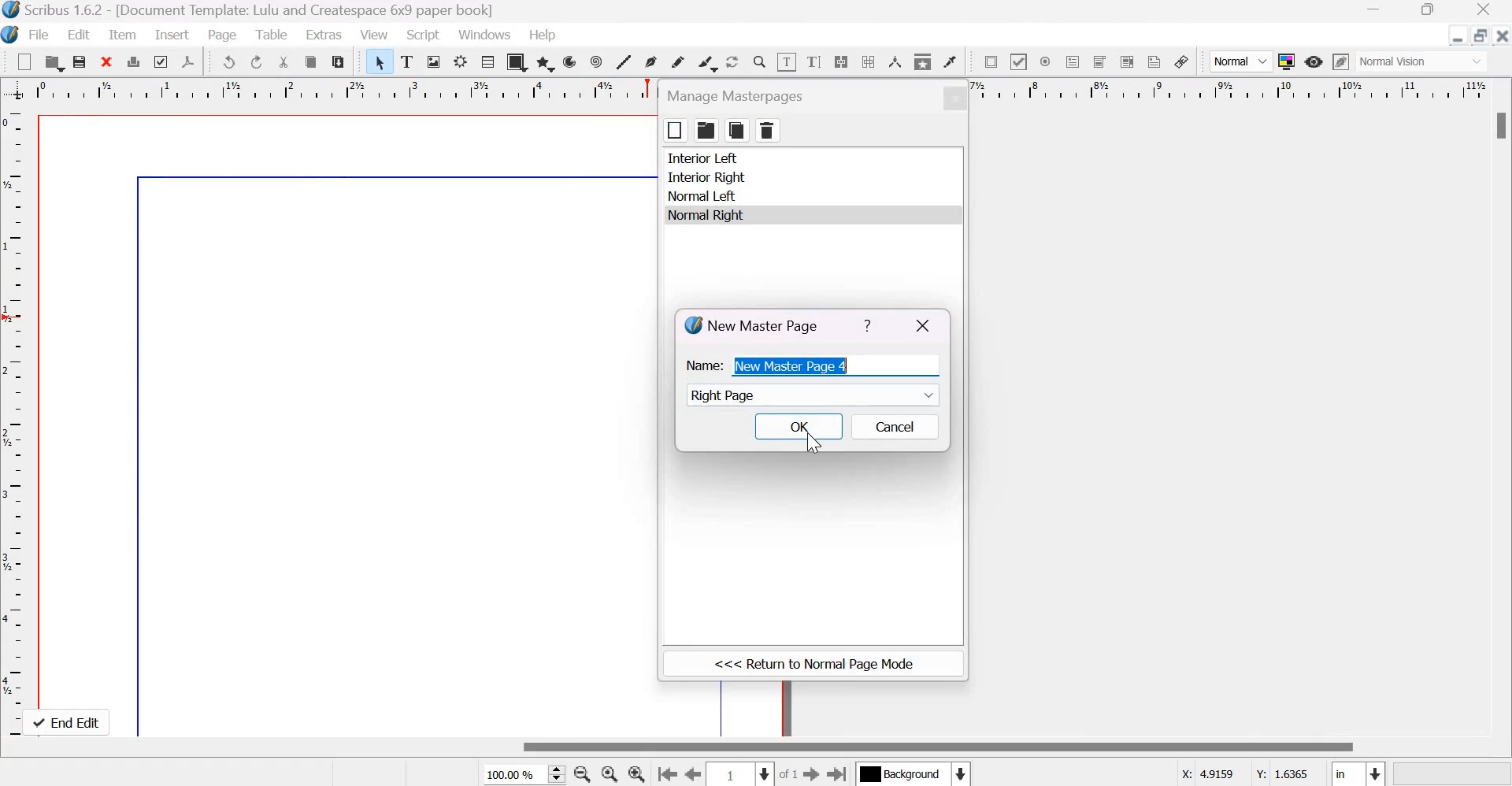 This screenshot has height=786, width=1512. Describe the element at coordinates (791, 366) in the screenshot. I see `New Master Page 4` at that location.